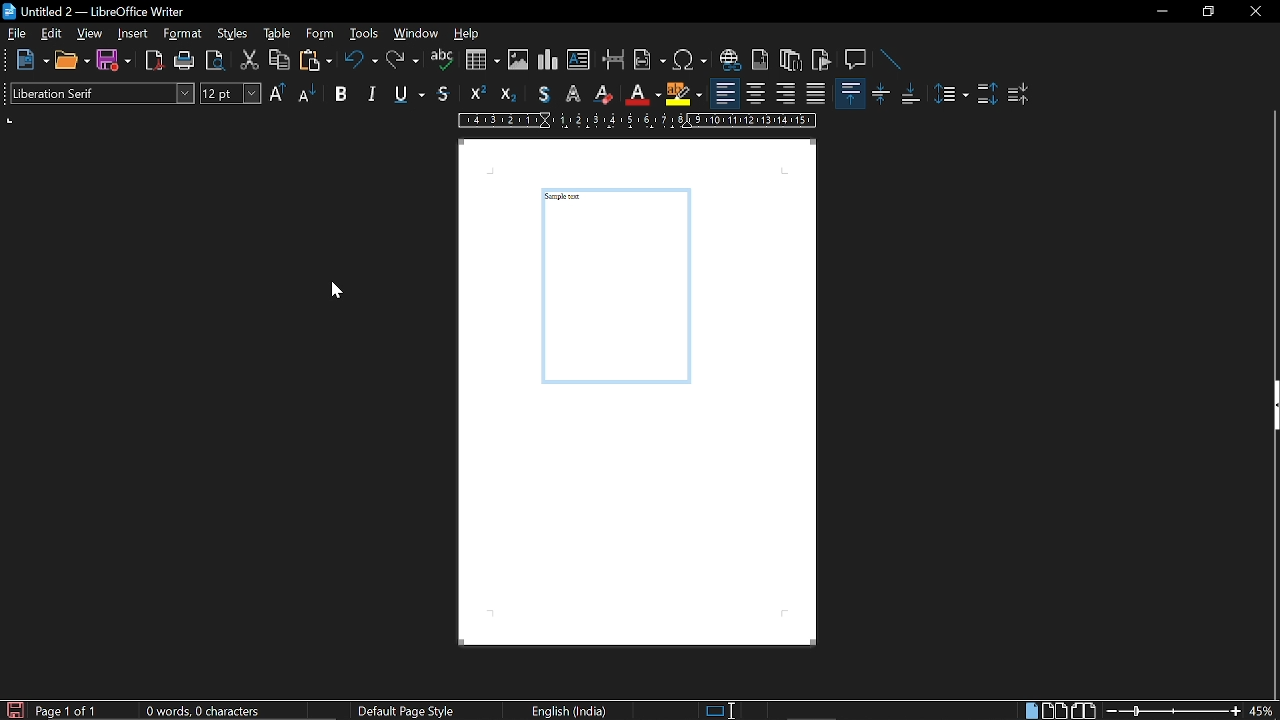  Describe the element at coordinates (886, 59) in the screenshot. I see `insert line` at that location.